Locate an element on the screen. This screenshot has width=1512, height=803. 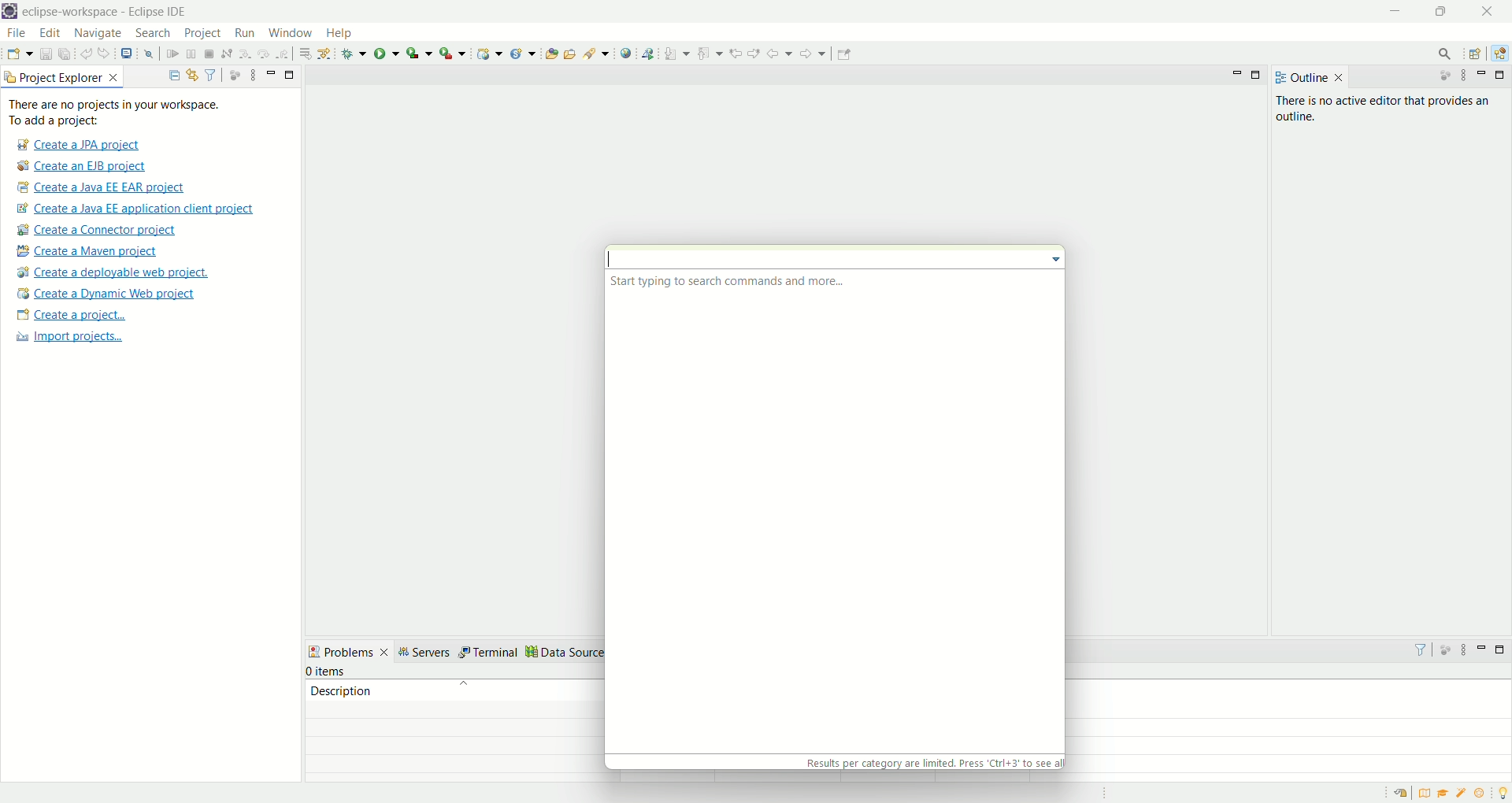
maximize is located at coordinates (1497, 648).